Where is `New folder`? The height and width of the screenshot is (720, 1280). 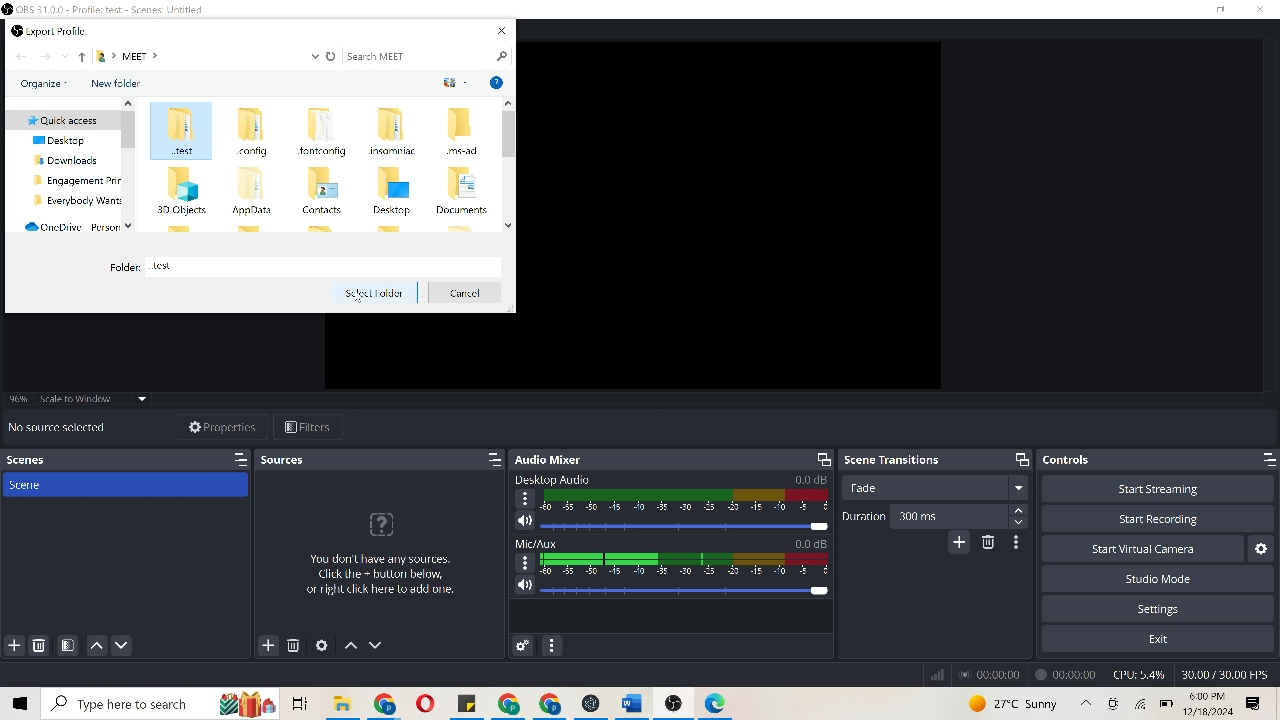
New folder is located at coordinates (116, 83).